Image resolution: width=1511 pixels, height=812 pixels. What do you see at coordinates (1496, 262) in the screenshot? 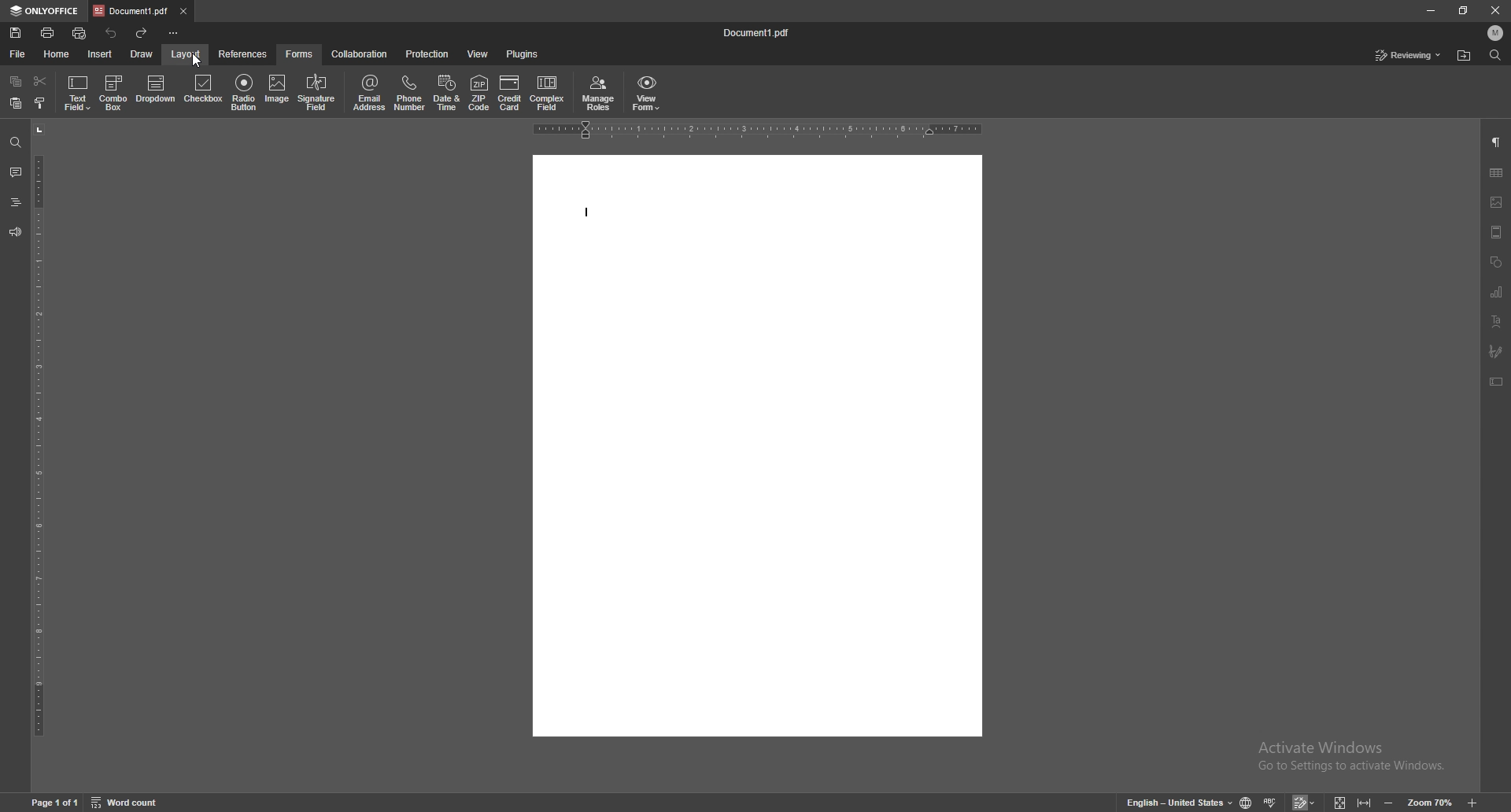
I see `shapes` at bounding box center [1496, 262].